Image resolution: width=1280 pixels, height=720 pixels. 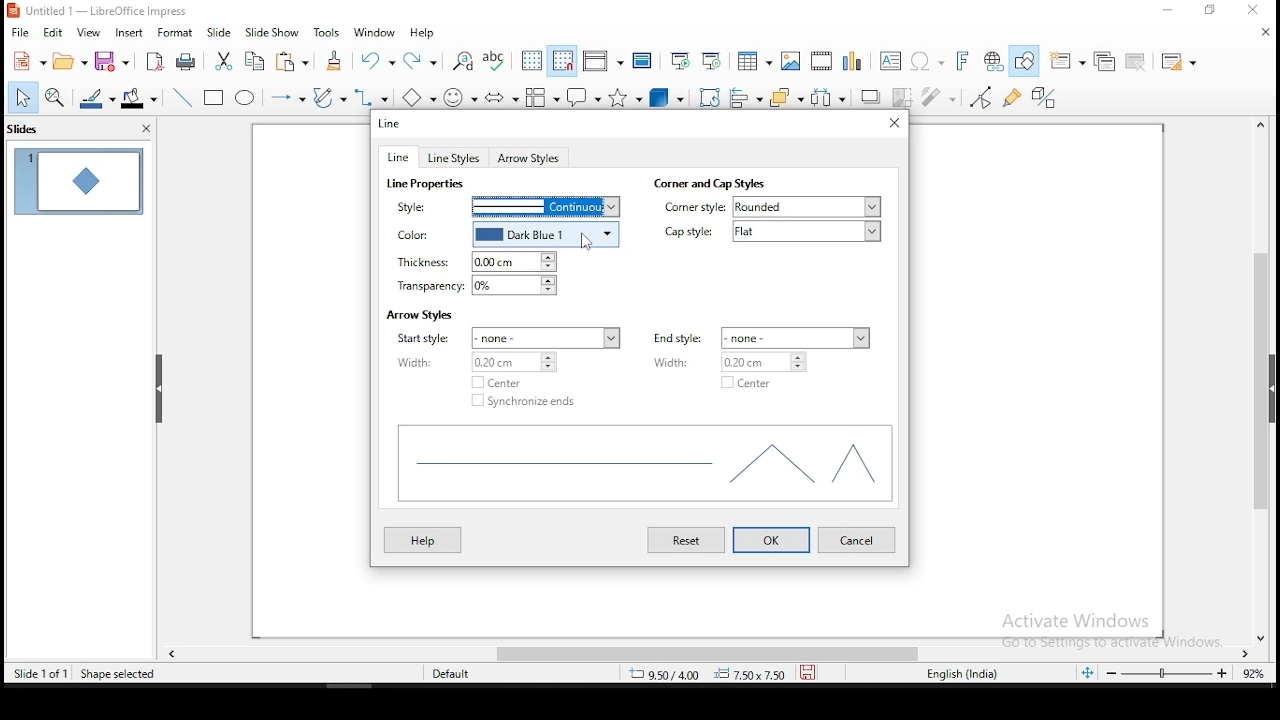 What do you see at coordinates (271, 31) in the screenshot?
I see `slide show` at bounding box center [271, 31].